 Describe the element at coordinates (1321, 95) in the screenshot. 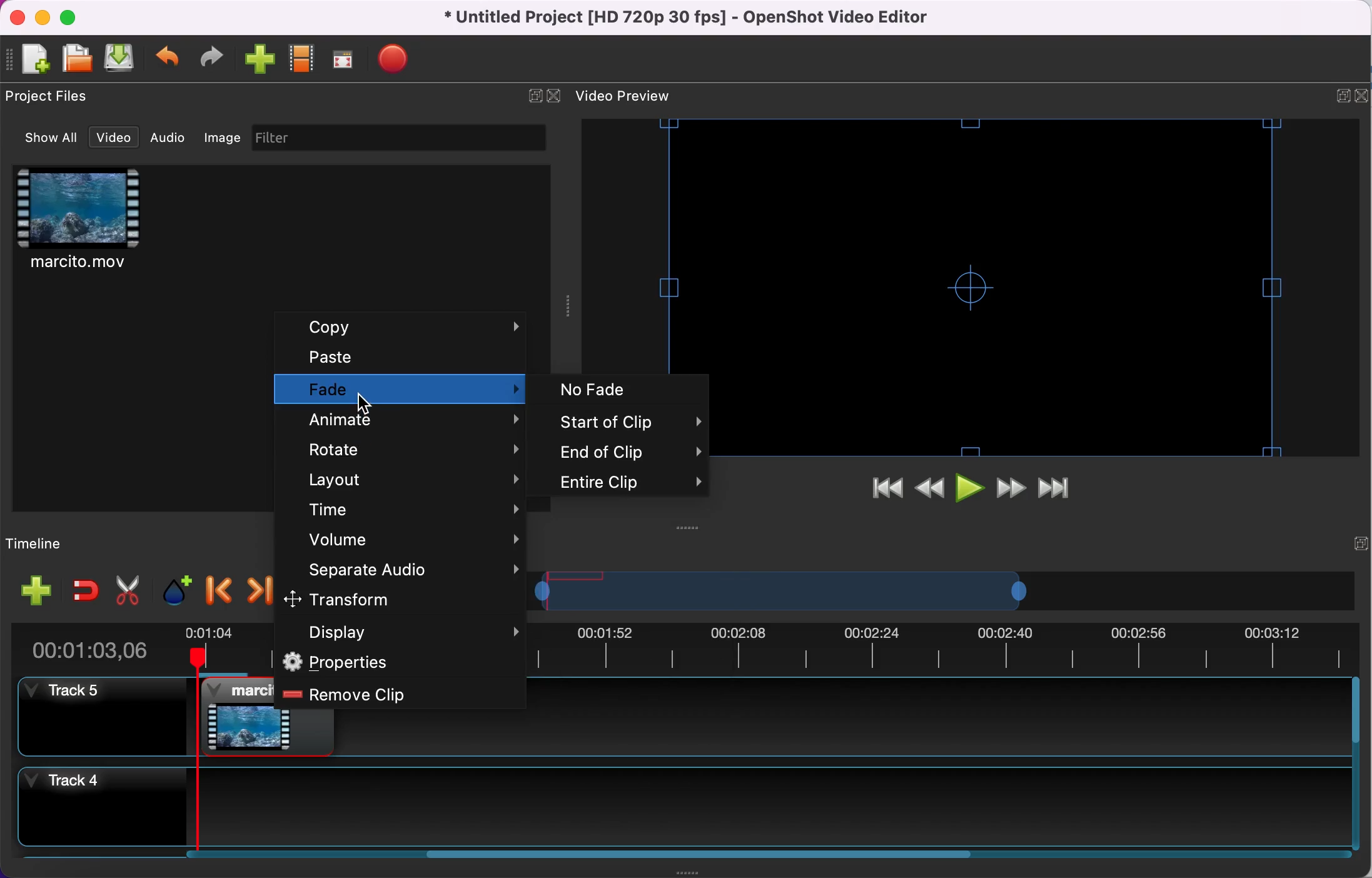

I see `expand/hide` at that location.